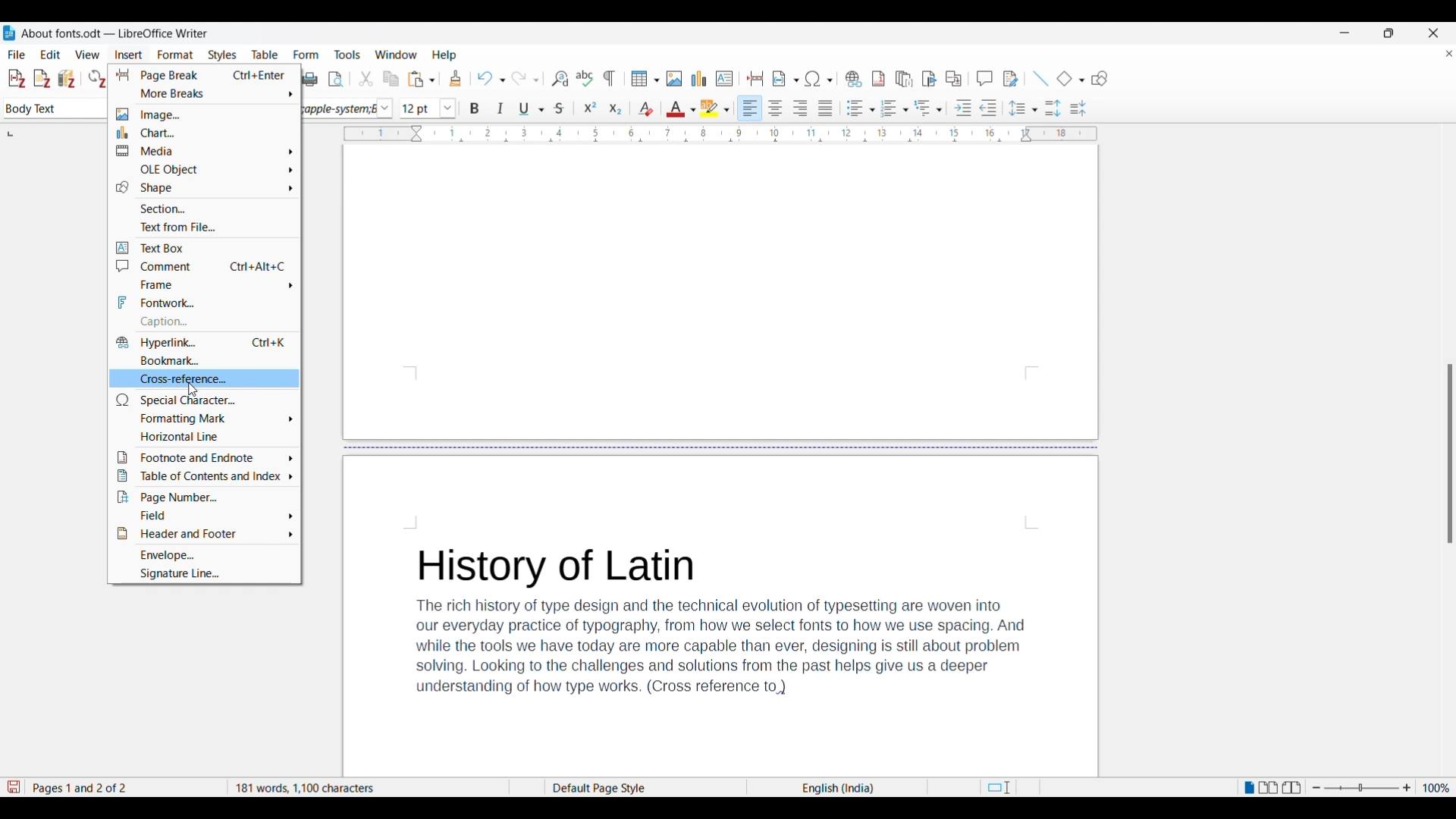 This screenshot has width=1456, height=819. What do you see at coordinates (205, 114) in the screenshot?
I see `Image` at bounding box center [205, 114].